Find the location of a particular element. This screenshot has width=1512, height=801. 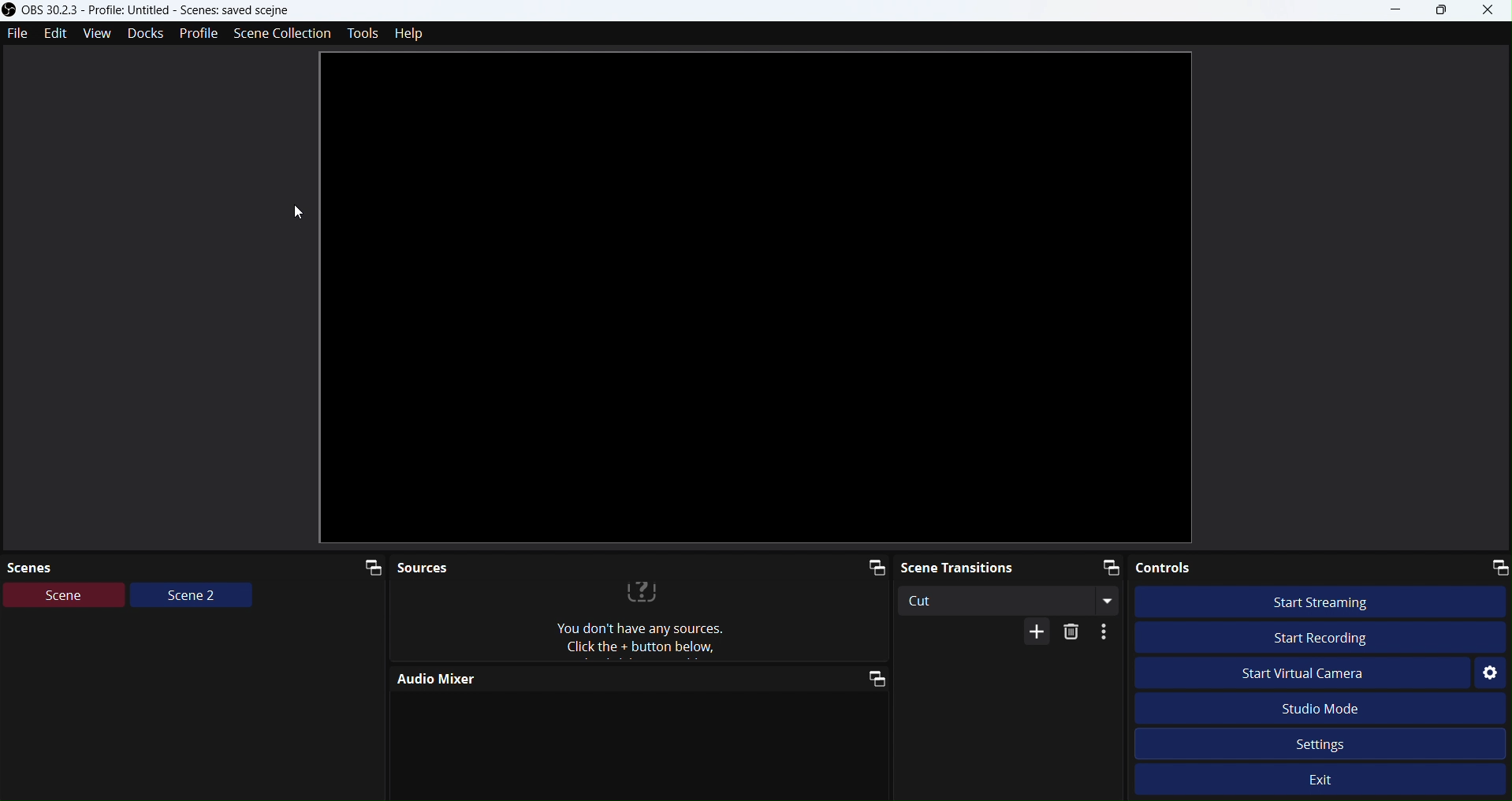

Delete is located at coordinates (1071, 633).